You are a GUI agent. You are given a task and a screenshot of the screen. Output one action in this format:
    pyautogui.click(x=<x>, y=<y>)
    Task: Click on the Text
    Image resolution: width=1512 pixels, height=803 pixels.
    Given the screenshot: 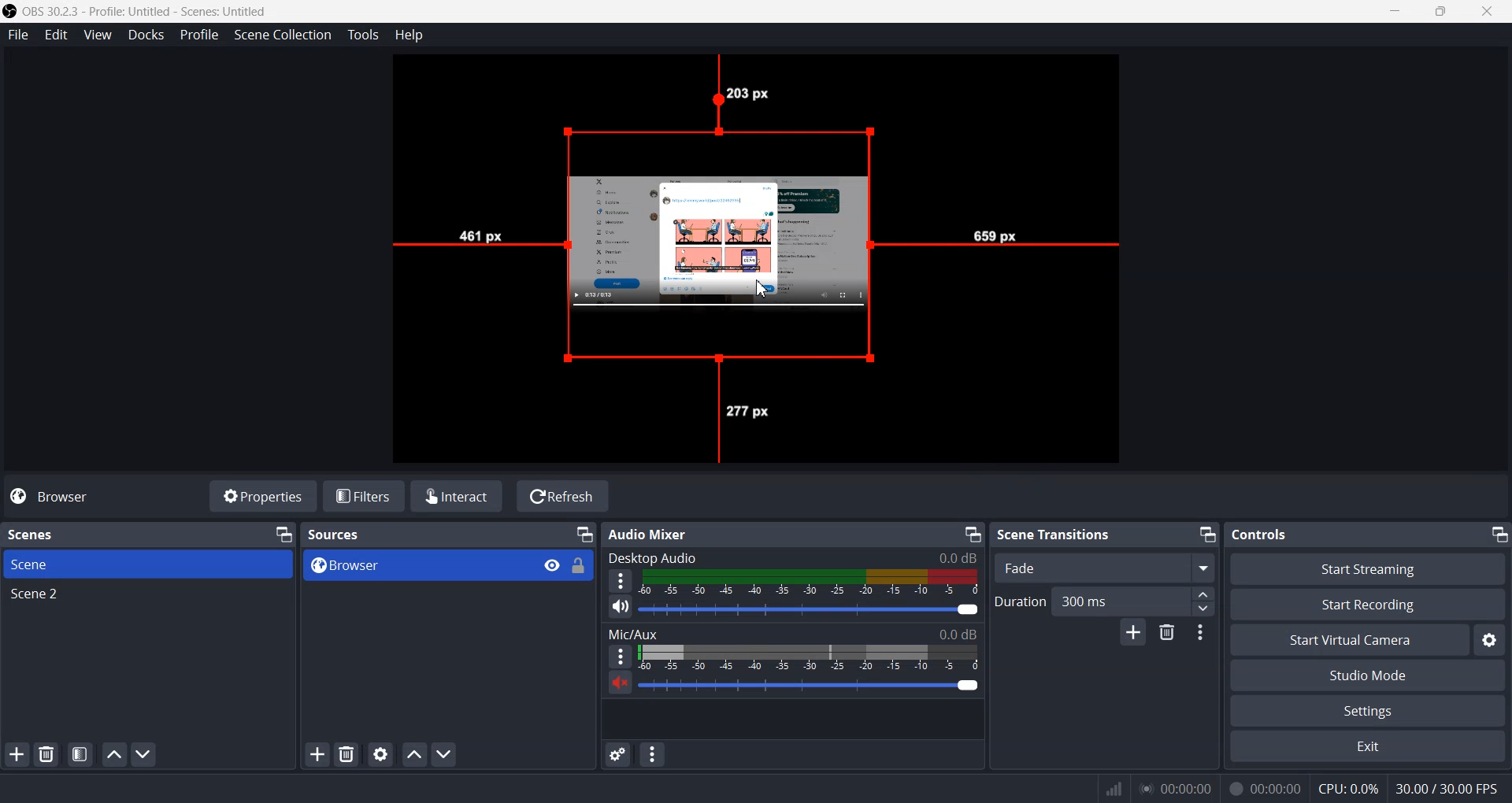 What is the action you would take?
    pyautogui.click(x=351, y=534)
    